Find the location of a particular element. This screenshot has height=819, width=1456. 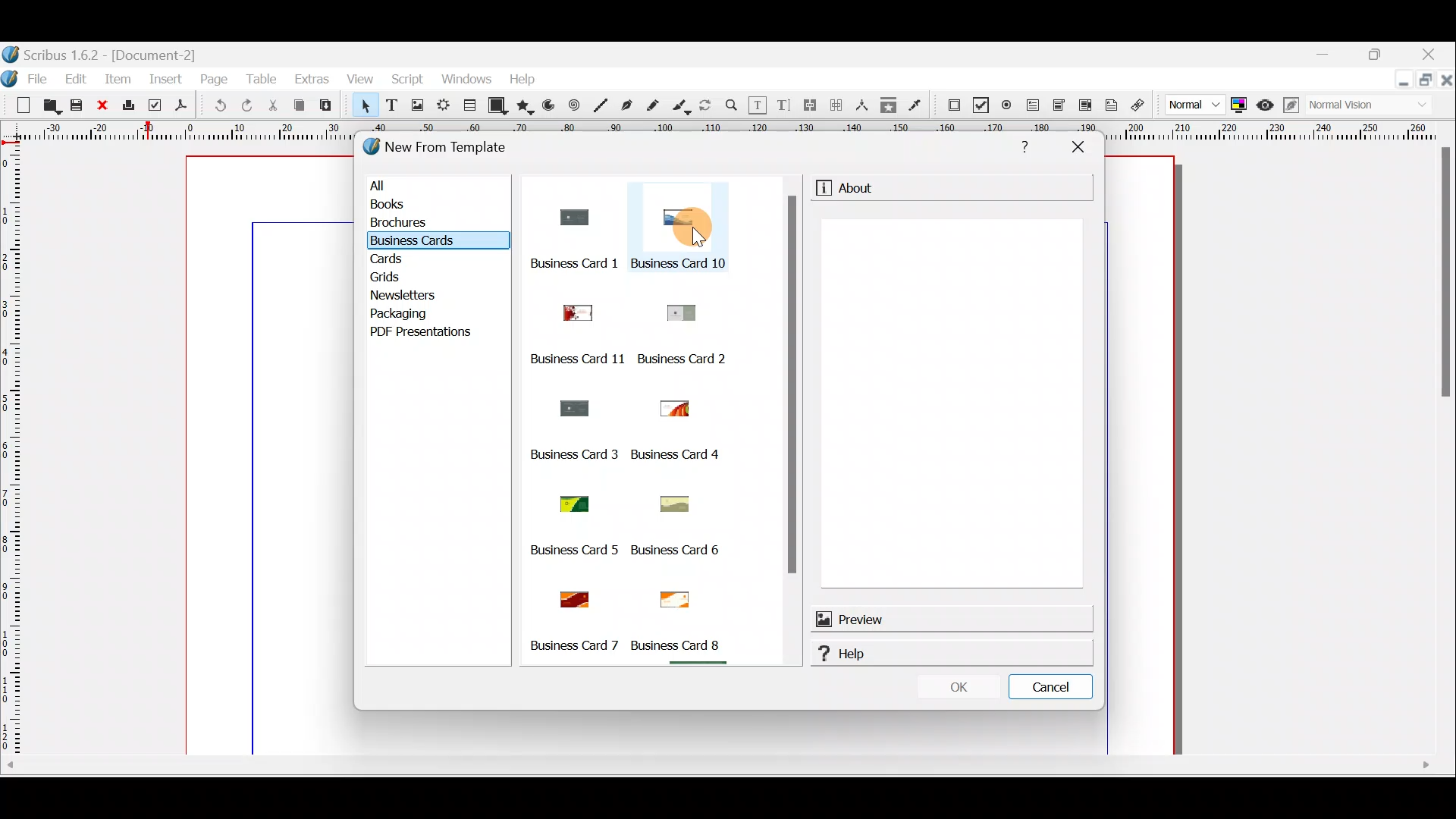

Table is located at coordinates (468, 107).